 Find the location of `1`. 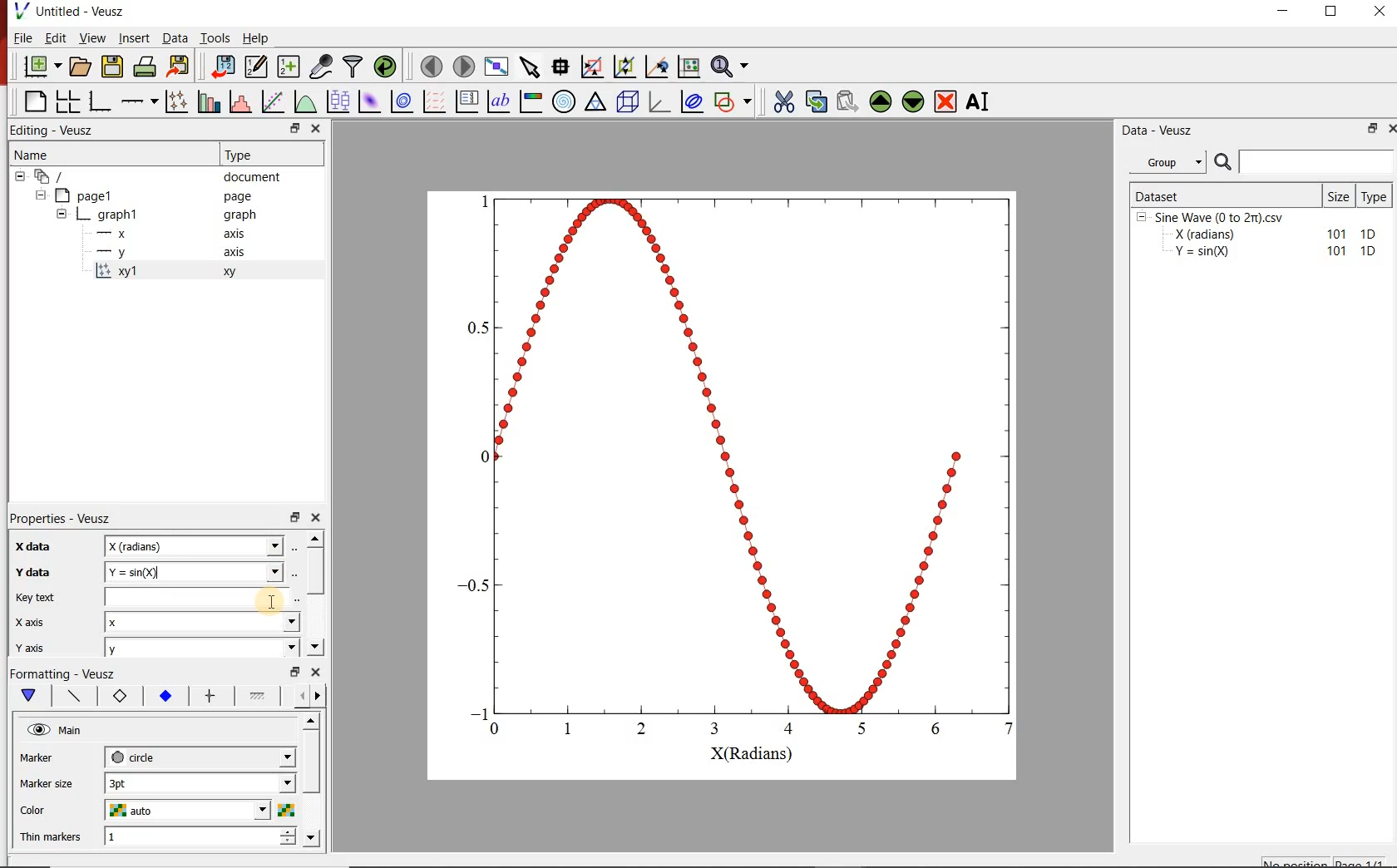

1 is located at coordinates (200, 837).